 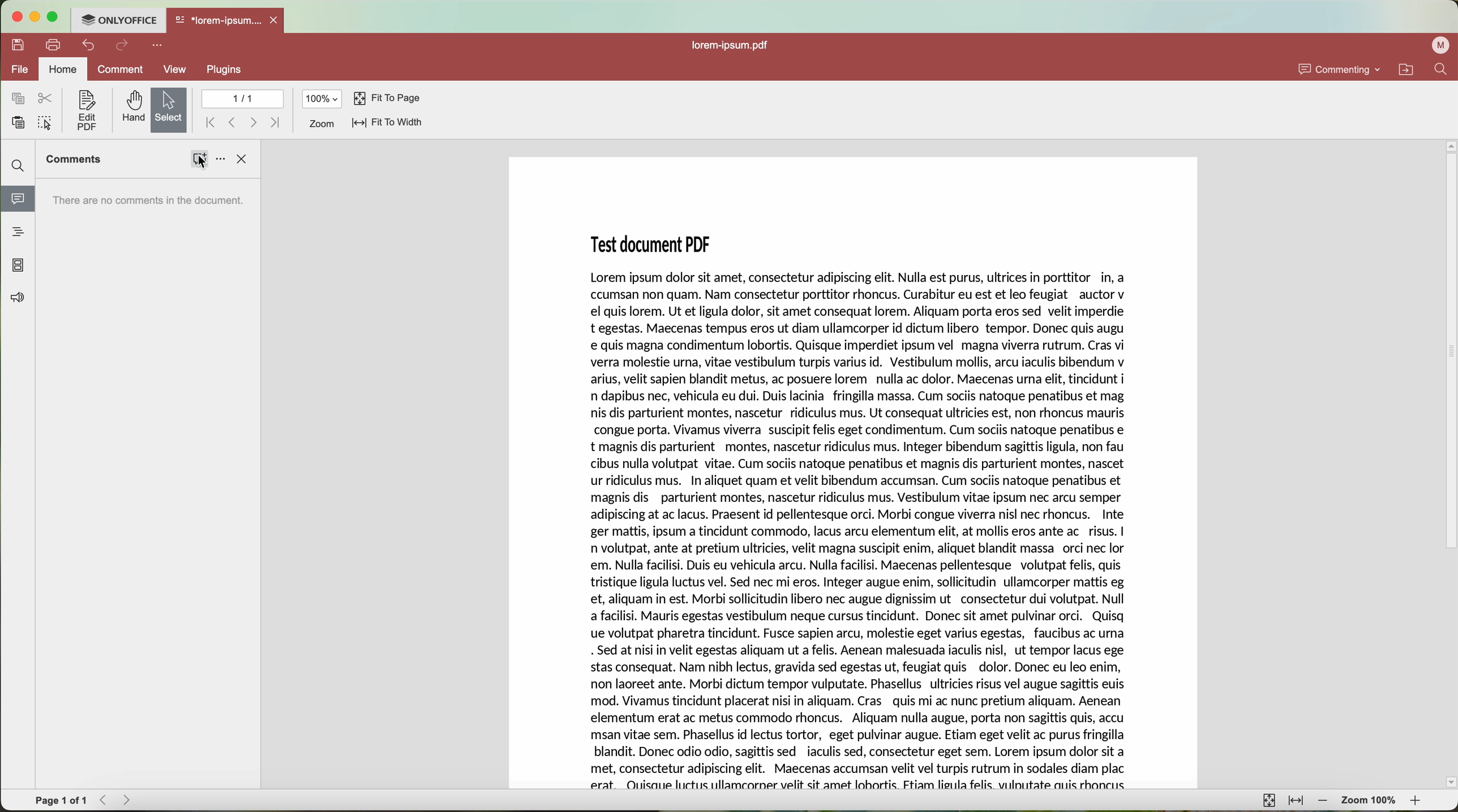 I want to click on comment, so click(x=121, y=71).